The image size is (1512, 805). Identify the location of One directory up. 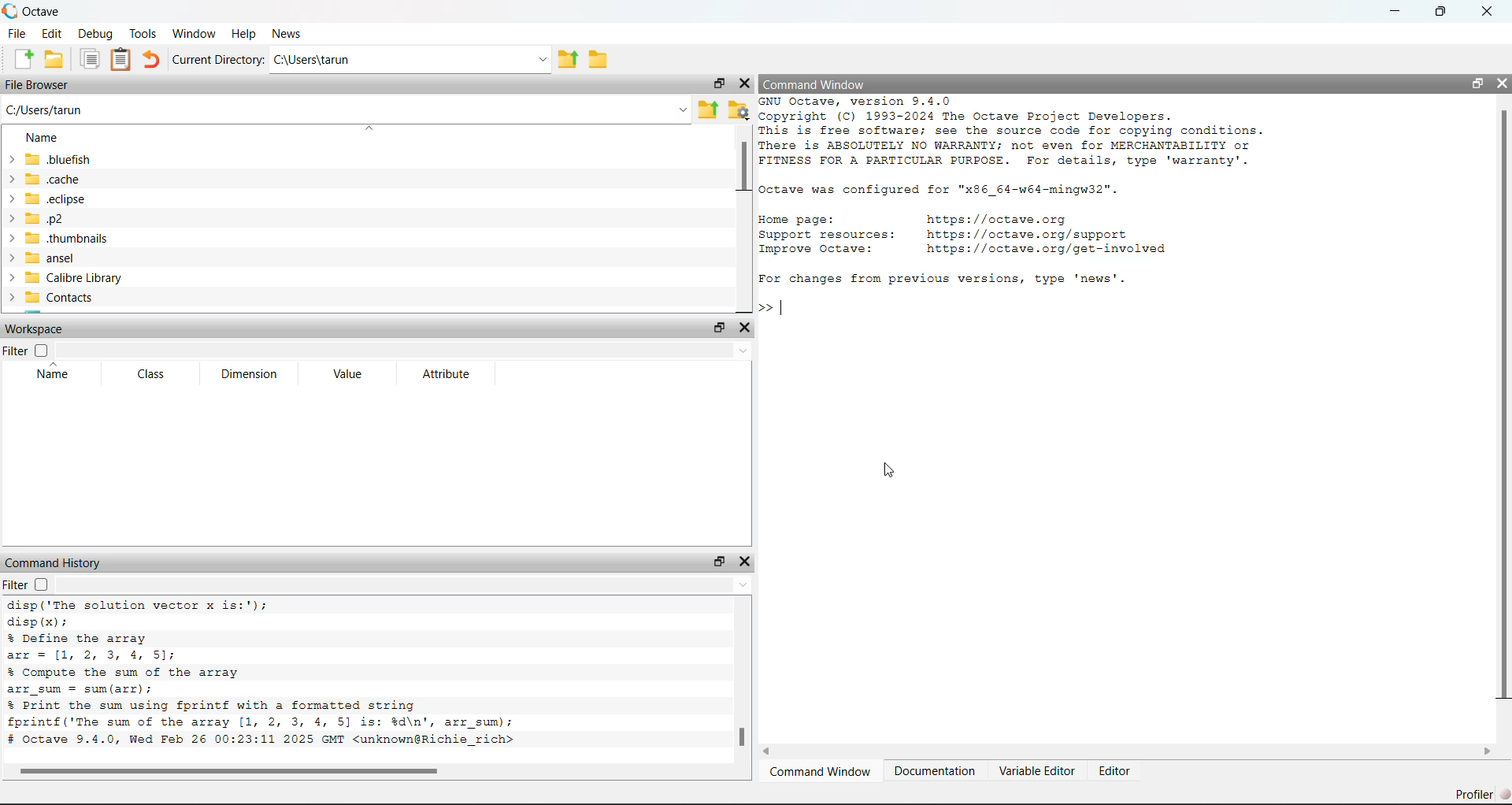
(709, 111).